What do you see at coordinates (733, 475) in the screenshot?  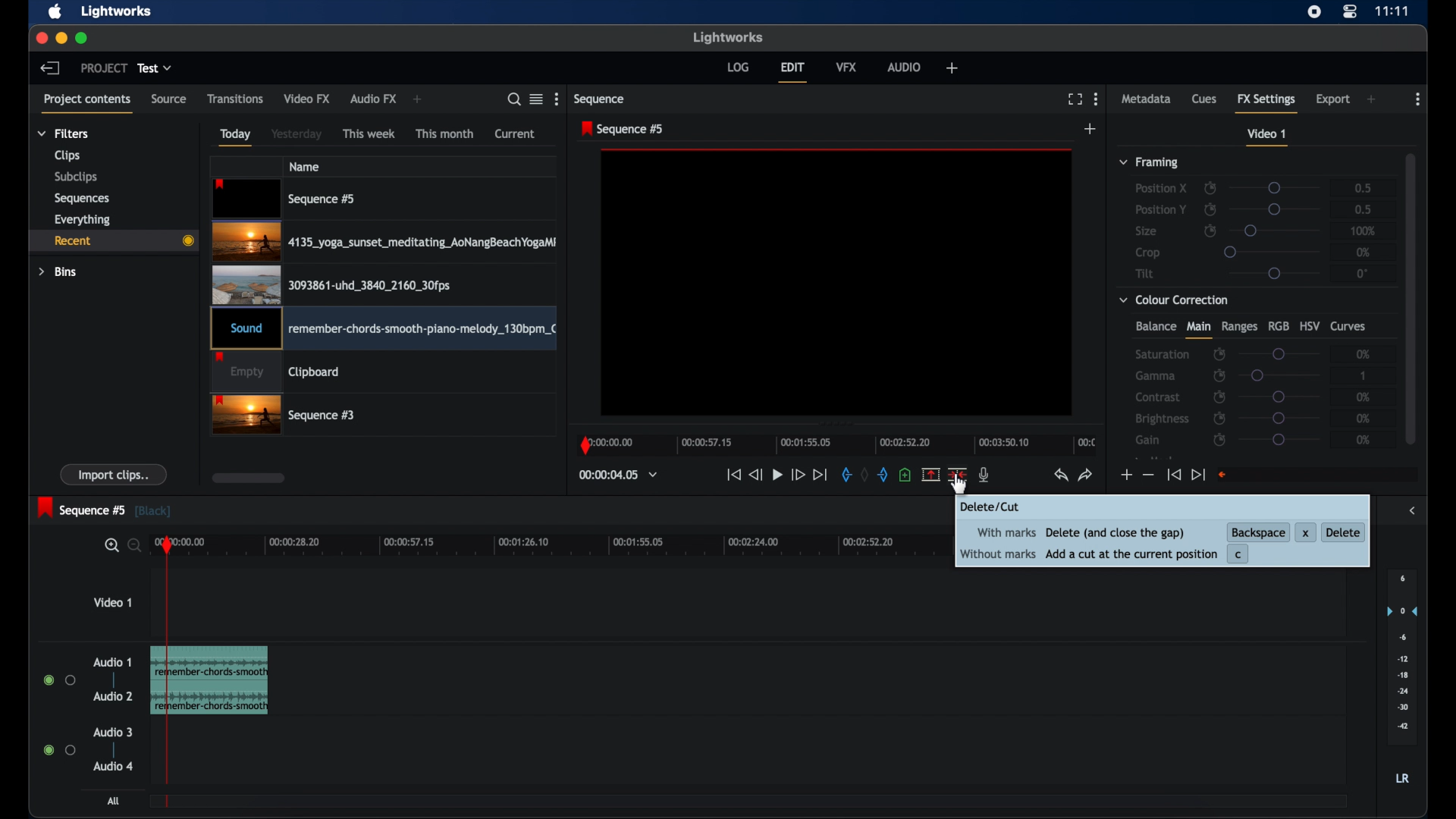 I see `jump to start` at bounding box center [733, 475].